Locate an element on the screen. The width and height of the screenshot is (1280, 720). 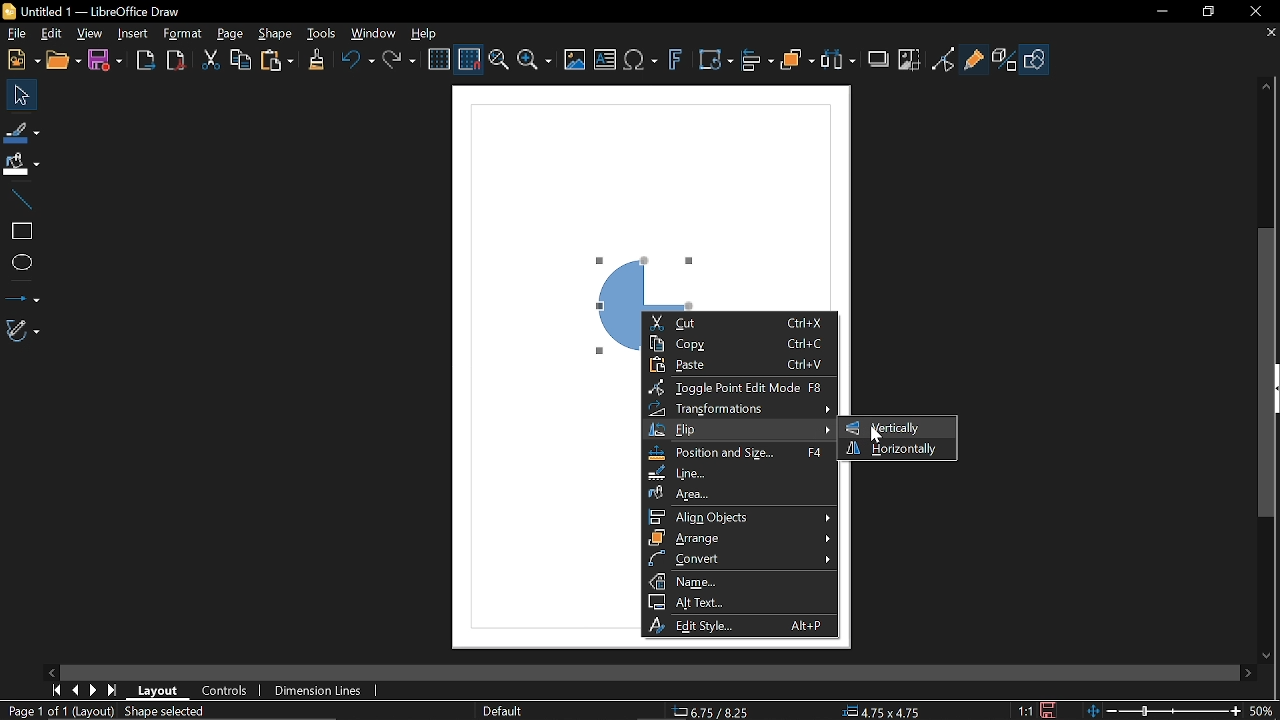
Move left is located at coordinates (51, 670).